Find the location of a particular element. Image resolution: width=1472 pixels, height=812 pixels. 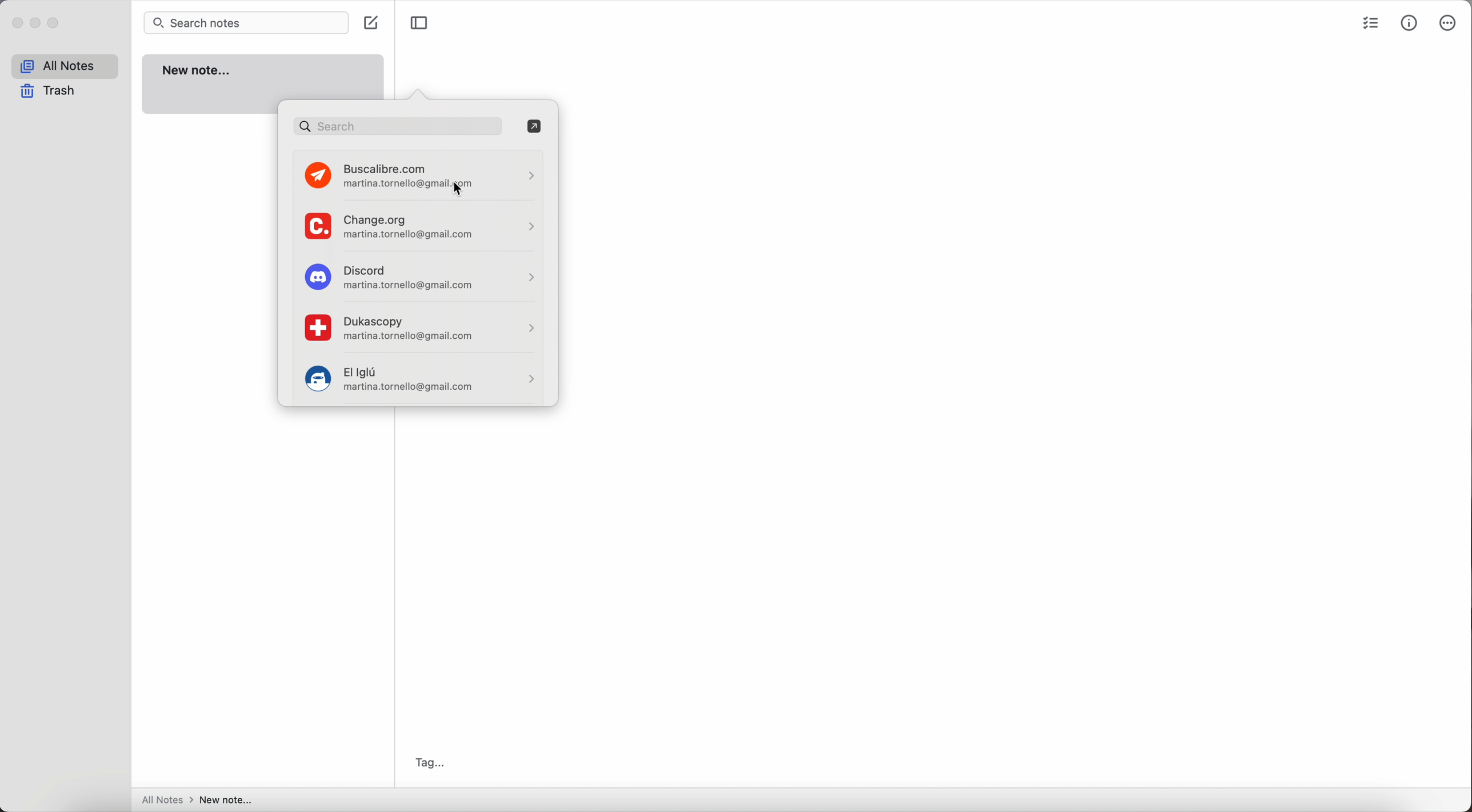

search bar is located at coordinates (399, 126).